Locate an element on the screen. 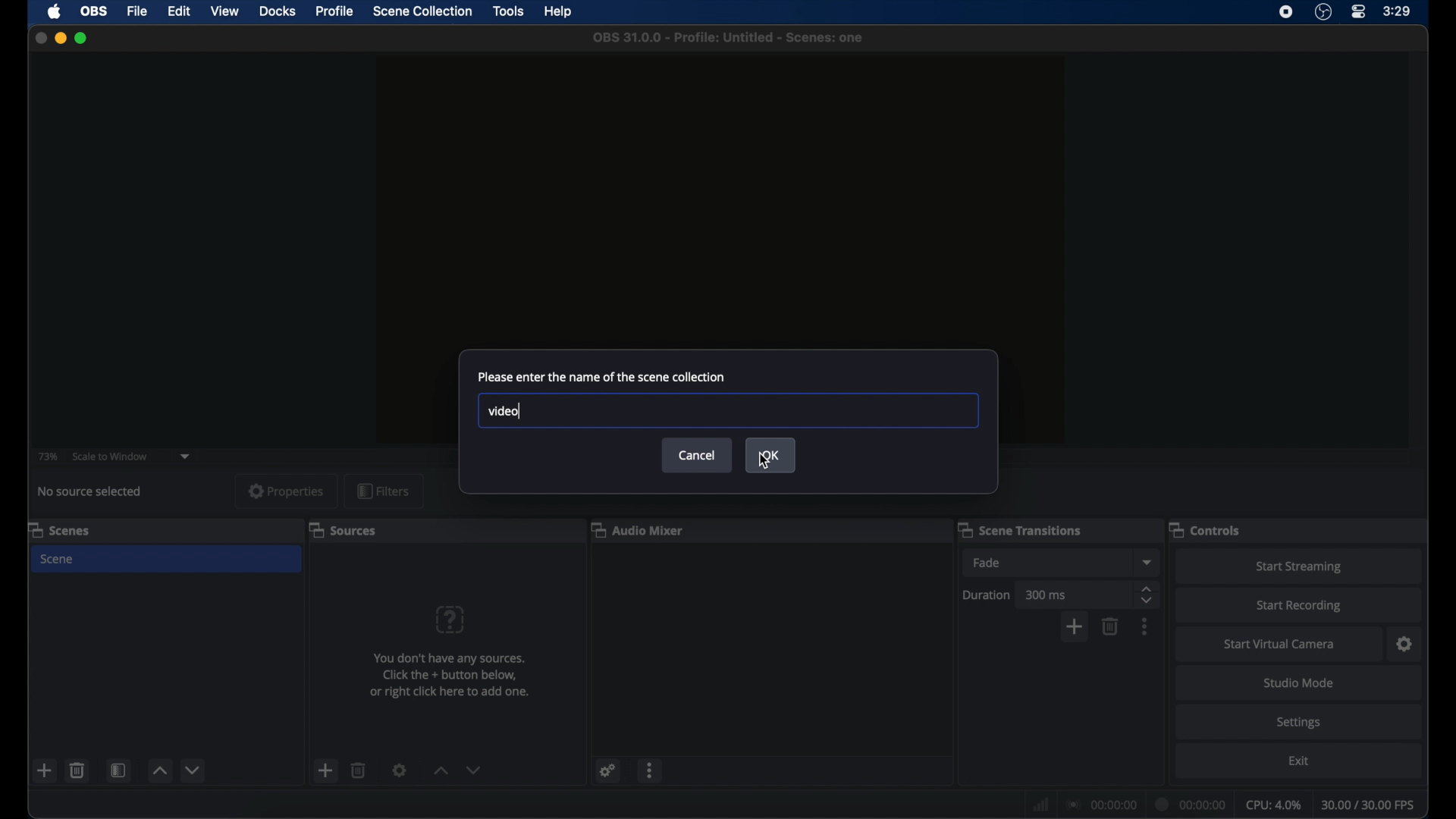 This screenshot has width=1456, height=819. 300ms is located at coordinates (1046, 595).